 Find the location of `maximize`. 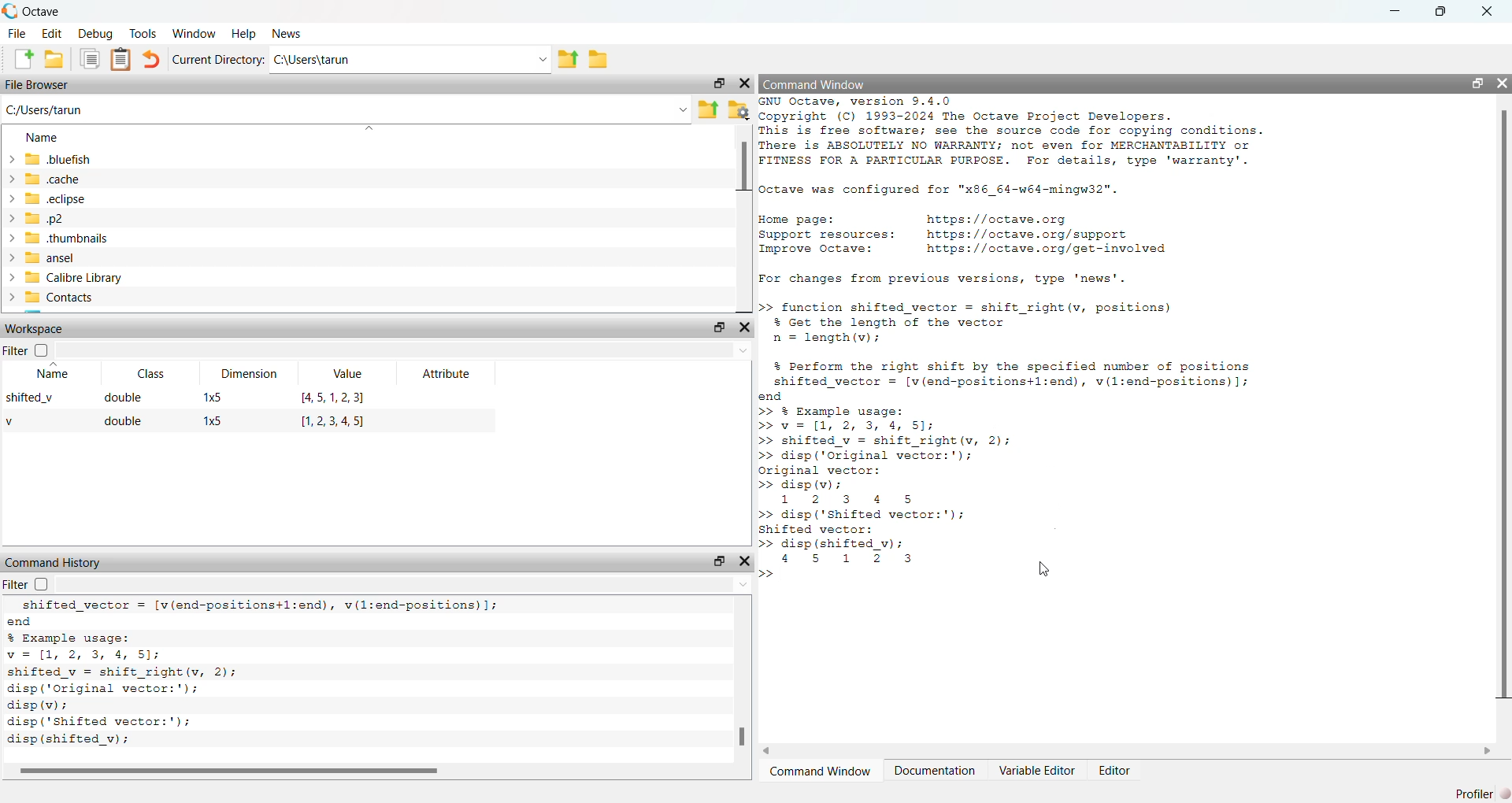

maximize is located at coordinates (1446, 10).